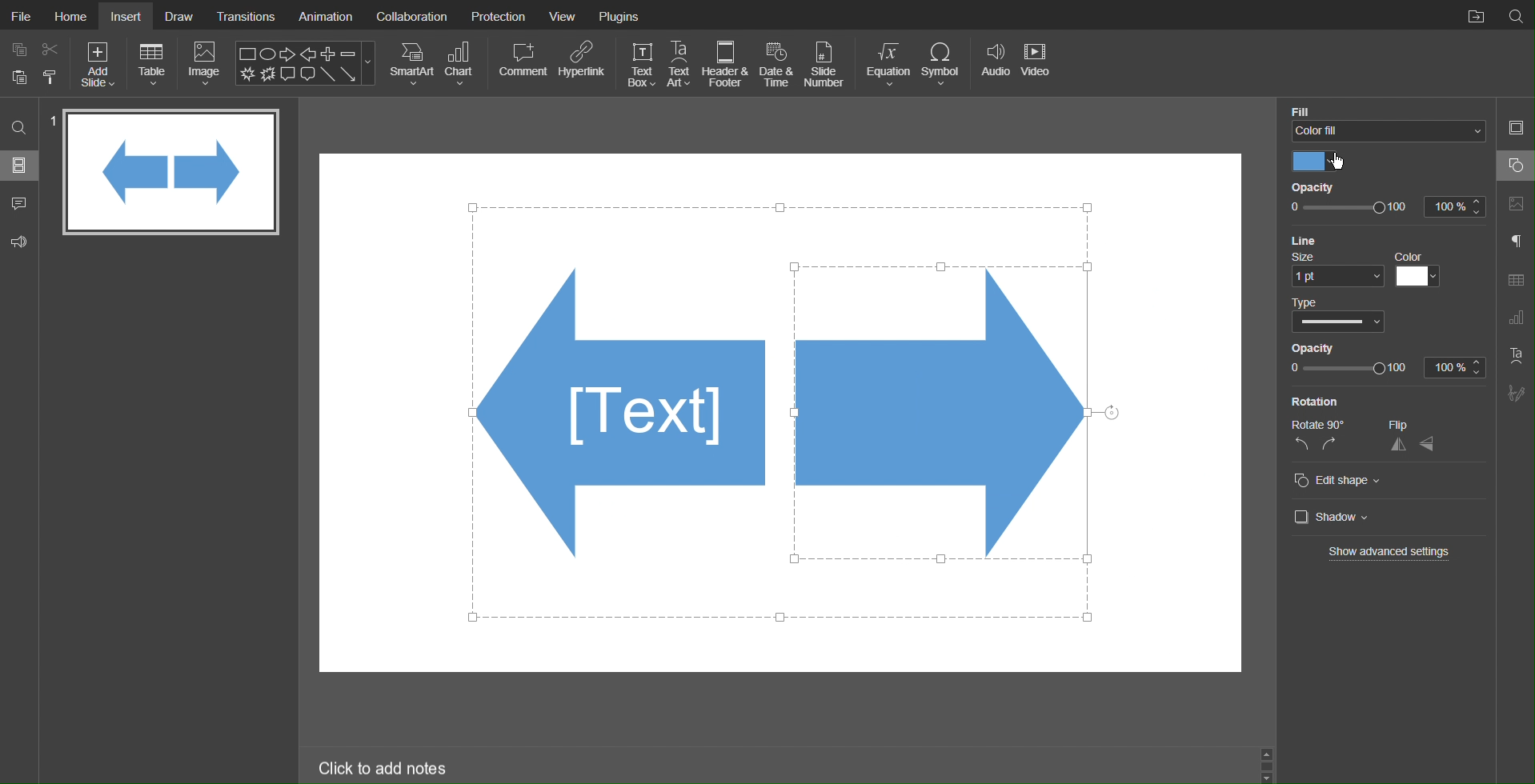 The height and width of the screenshot is (784, 1535). What do you see at coordinates (1314, 426) in the screenshot?
I see `Rotate 90` at bounding box center [1314, 426].